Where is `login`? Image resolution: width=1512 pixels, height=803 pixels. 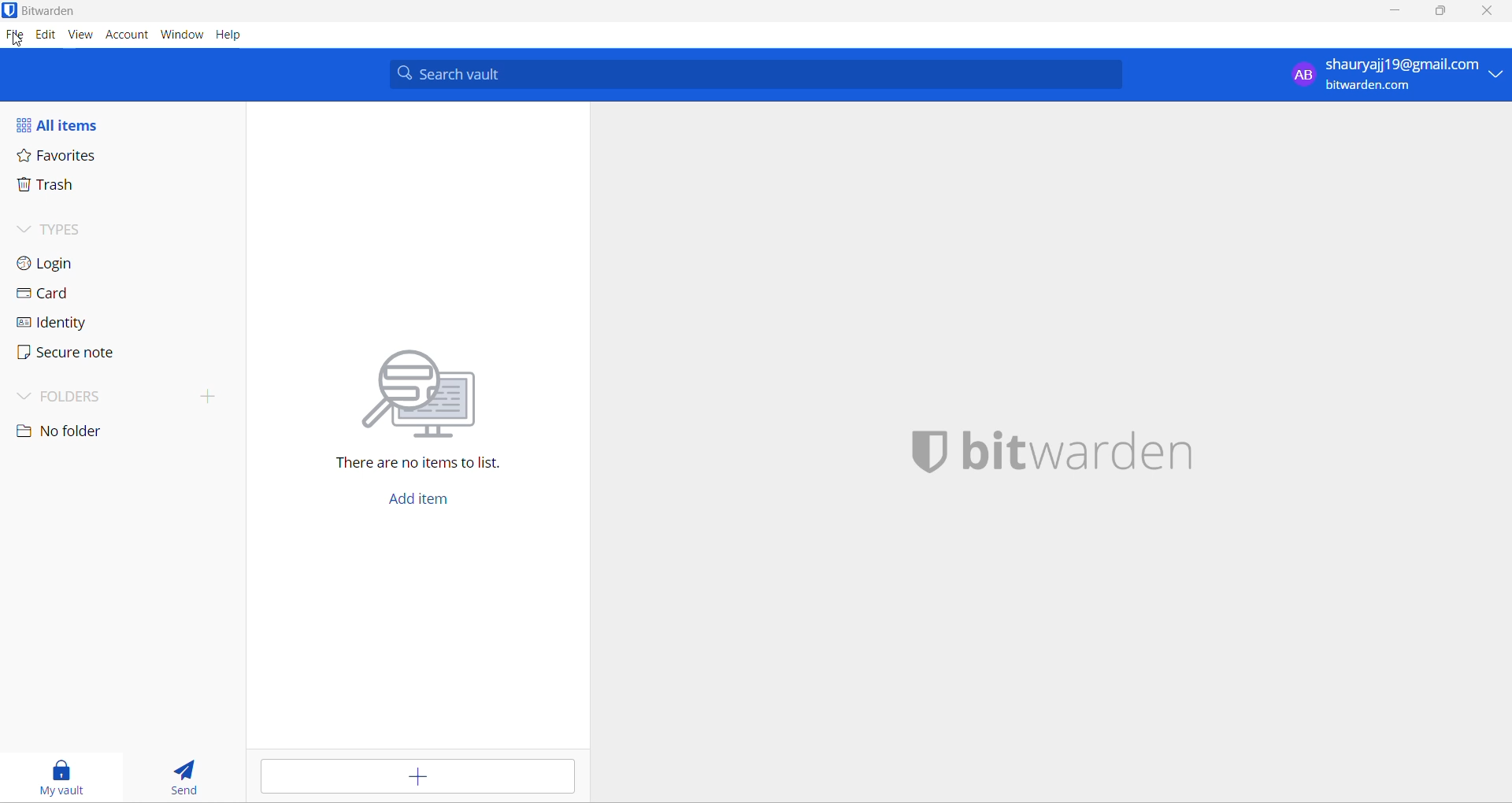 login is located at coordinates (64, 265).